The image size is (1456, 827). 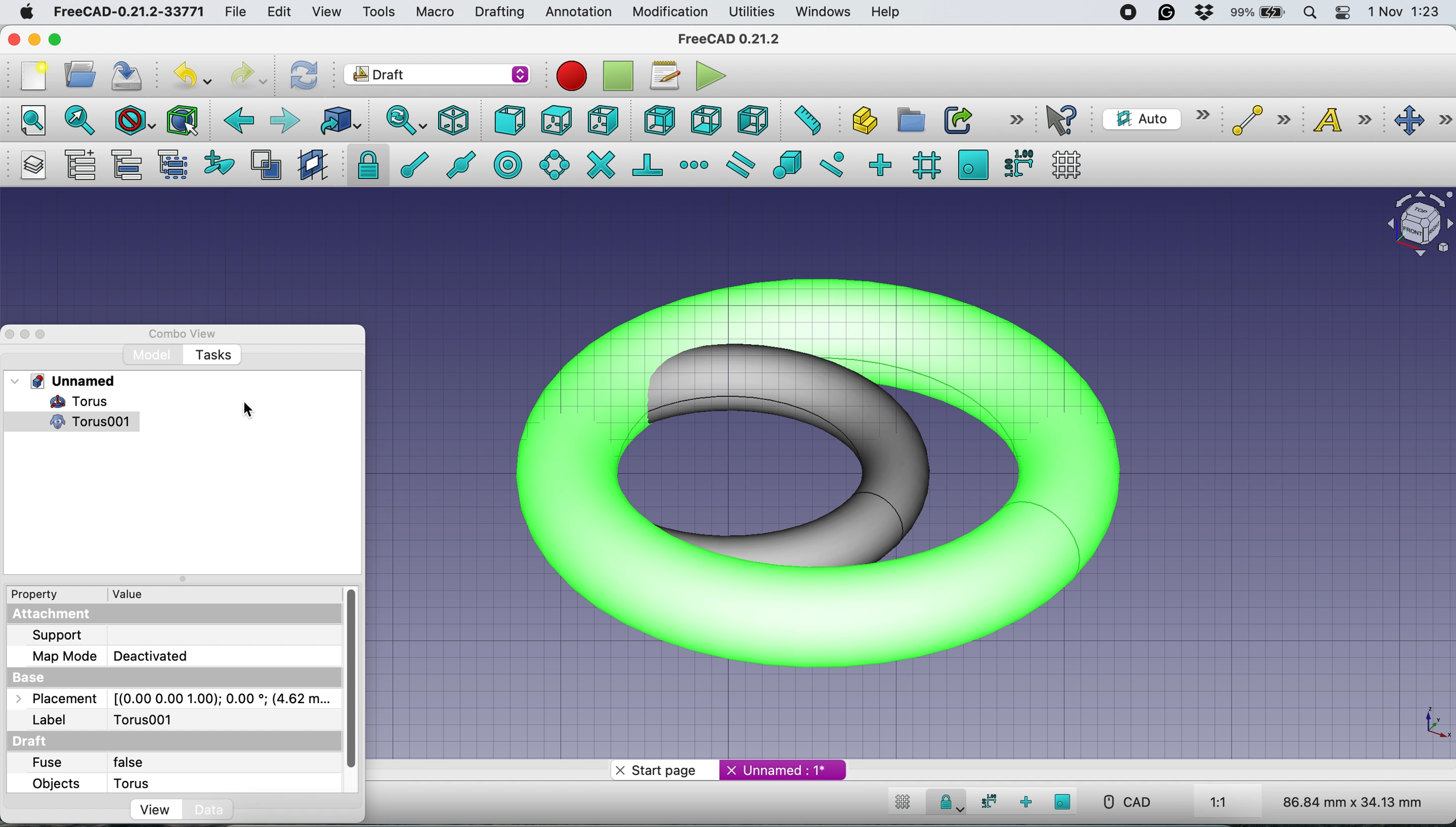 I want to click on dropbox, so click(x=1203, y=12).